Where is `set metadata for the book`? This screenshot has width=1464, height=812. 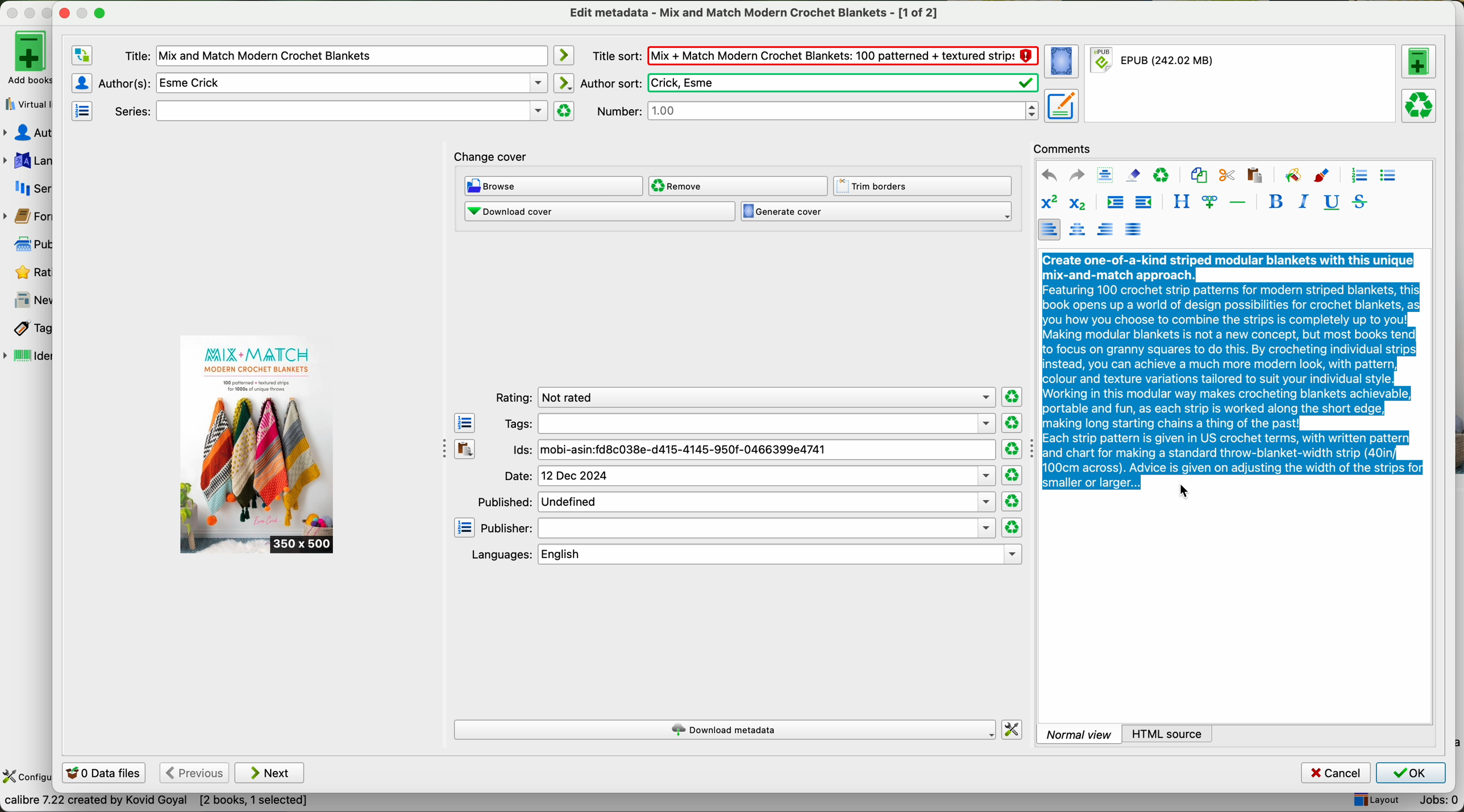
set metadata for the book is located at coordinates (1060, 105).